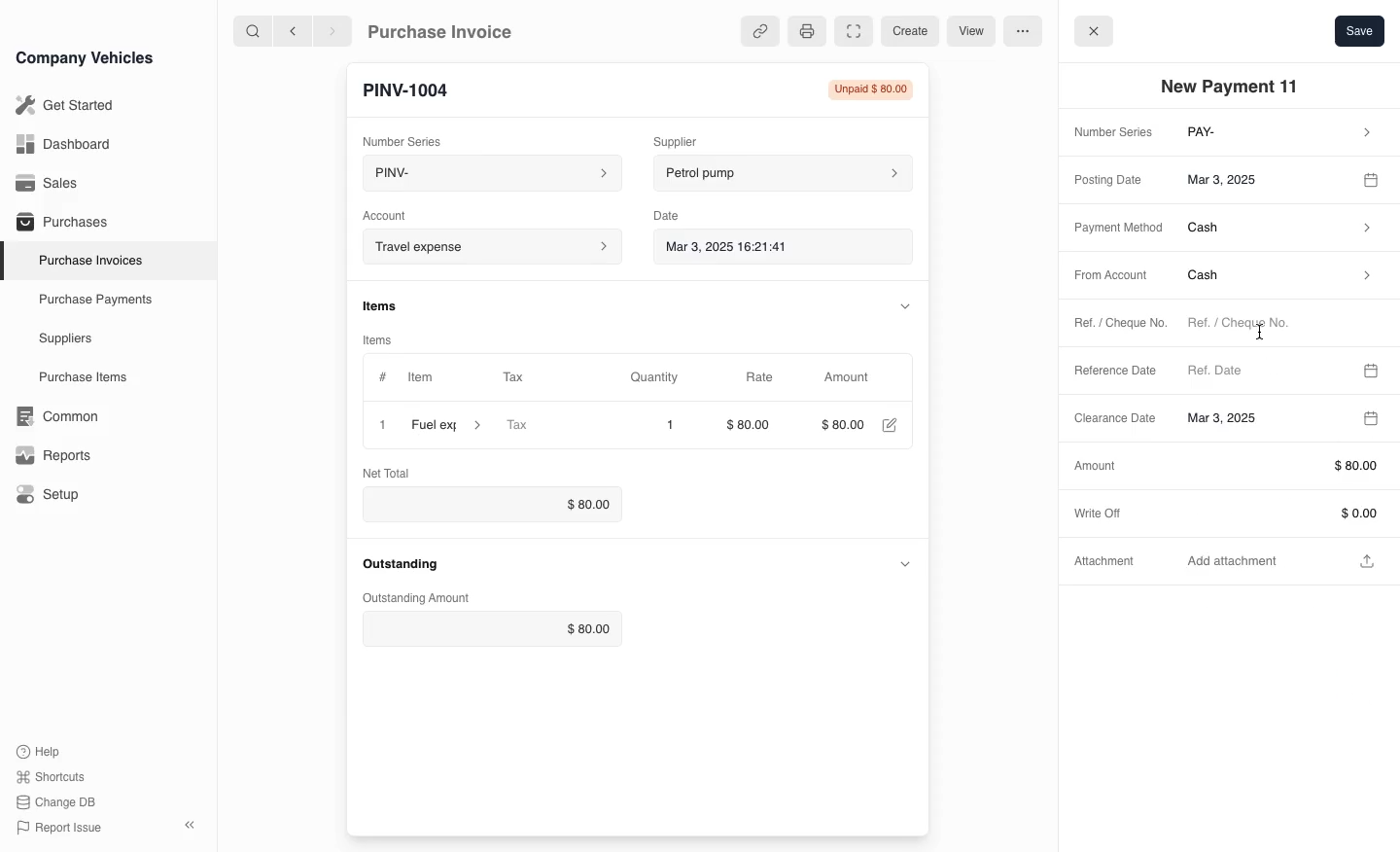  What do you see at coordinates (412, 598) in the screenshot?
I see `Outstanding Amount` at bounding box center [412, 598].